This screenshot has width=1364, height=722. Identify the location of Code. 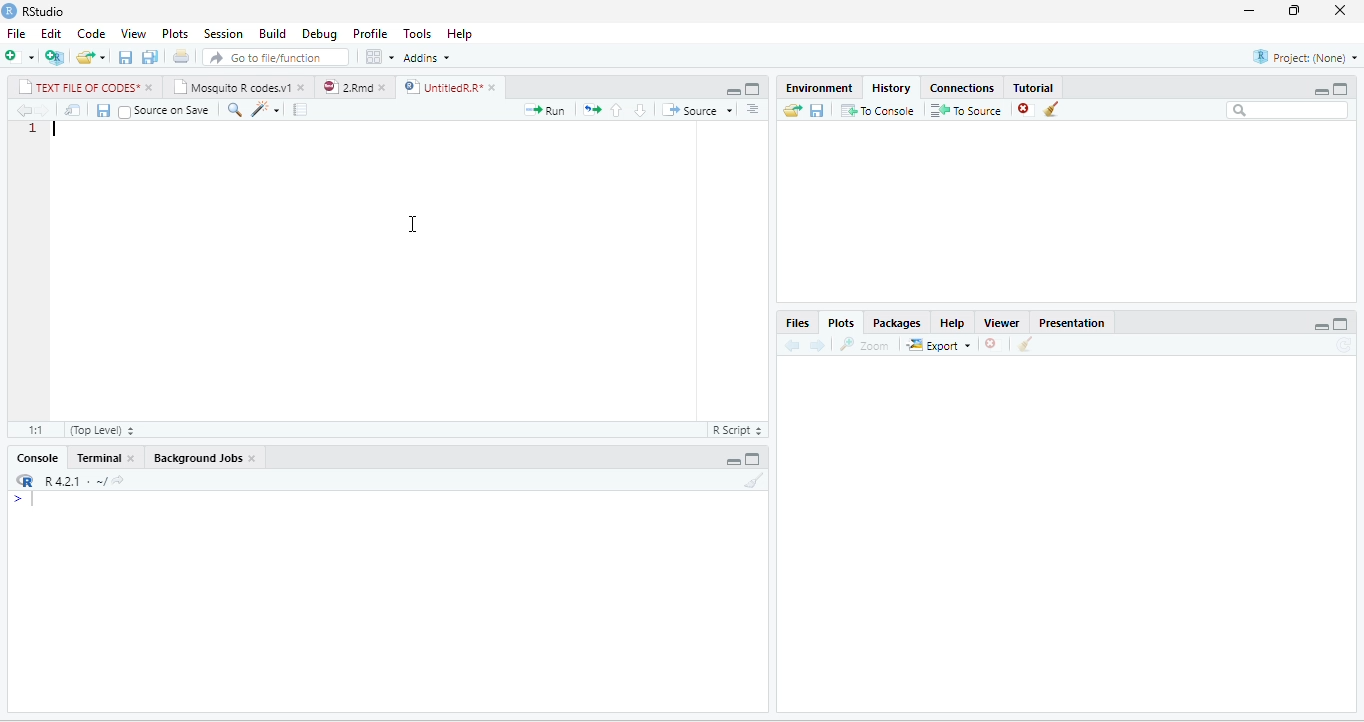
(92, 34).